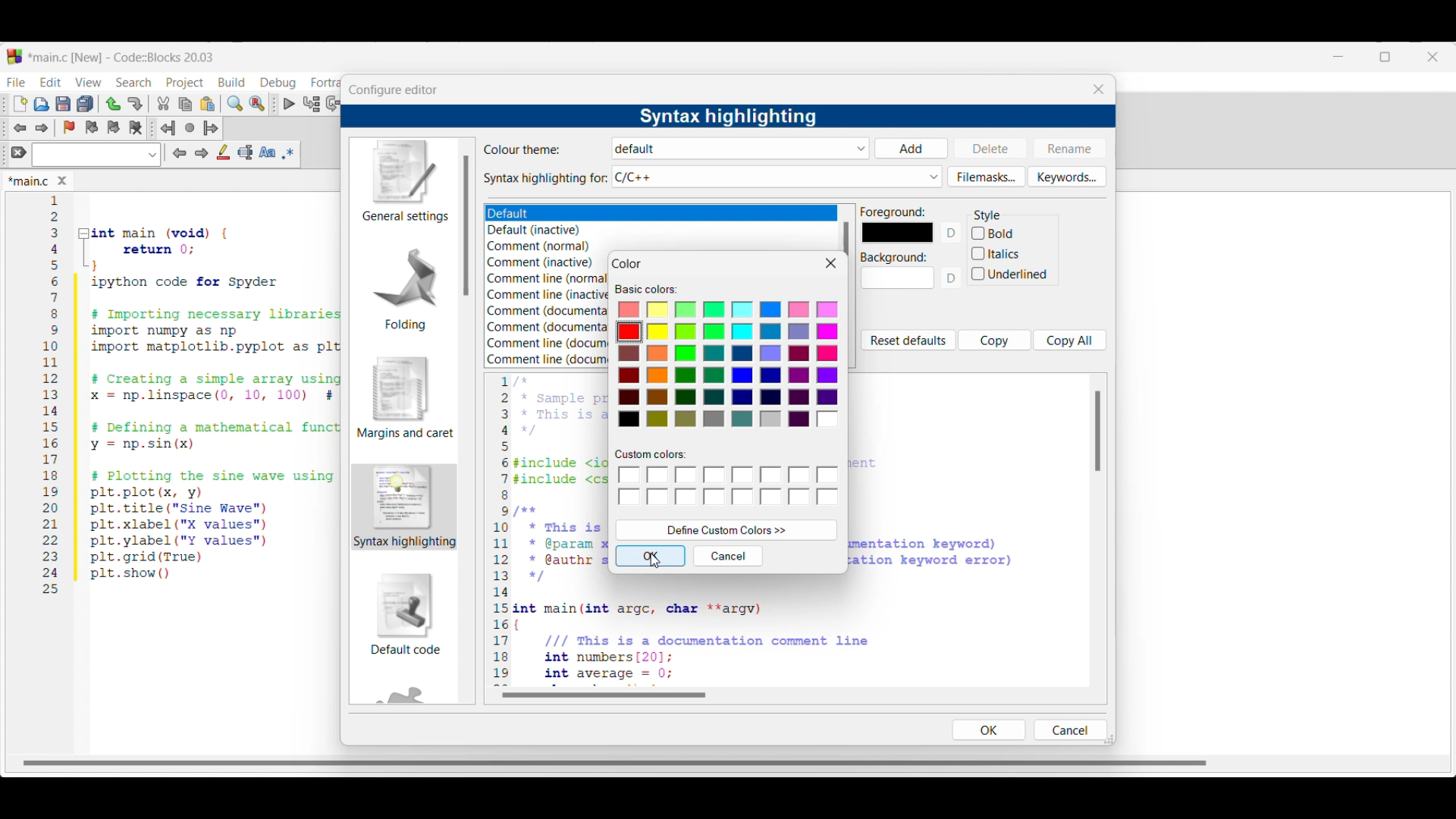  Describe the element at coordinates (164, 103) in the screenshot. I see `Cut` at that location.